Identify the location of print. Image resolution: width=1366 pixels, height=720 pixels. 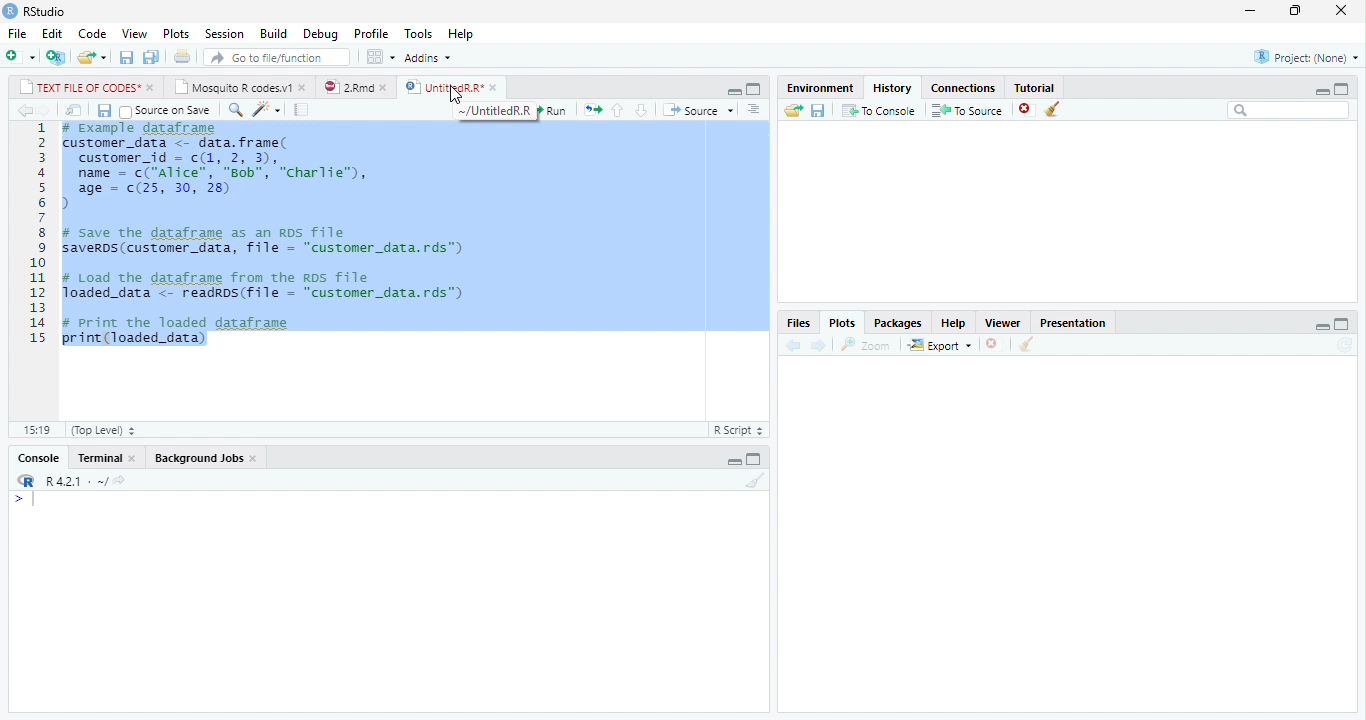
(181, 56).